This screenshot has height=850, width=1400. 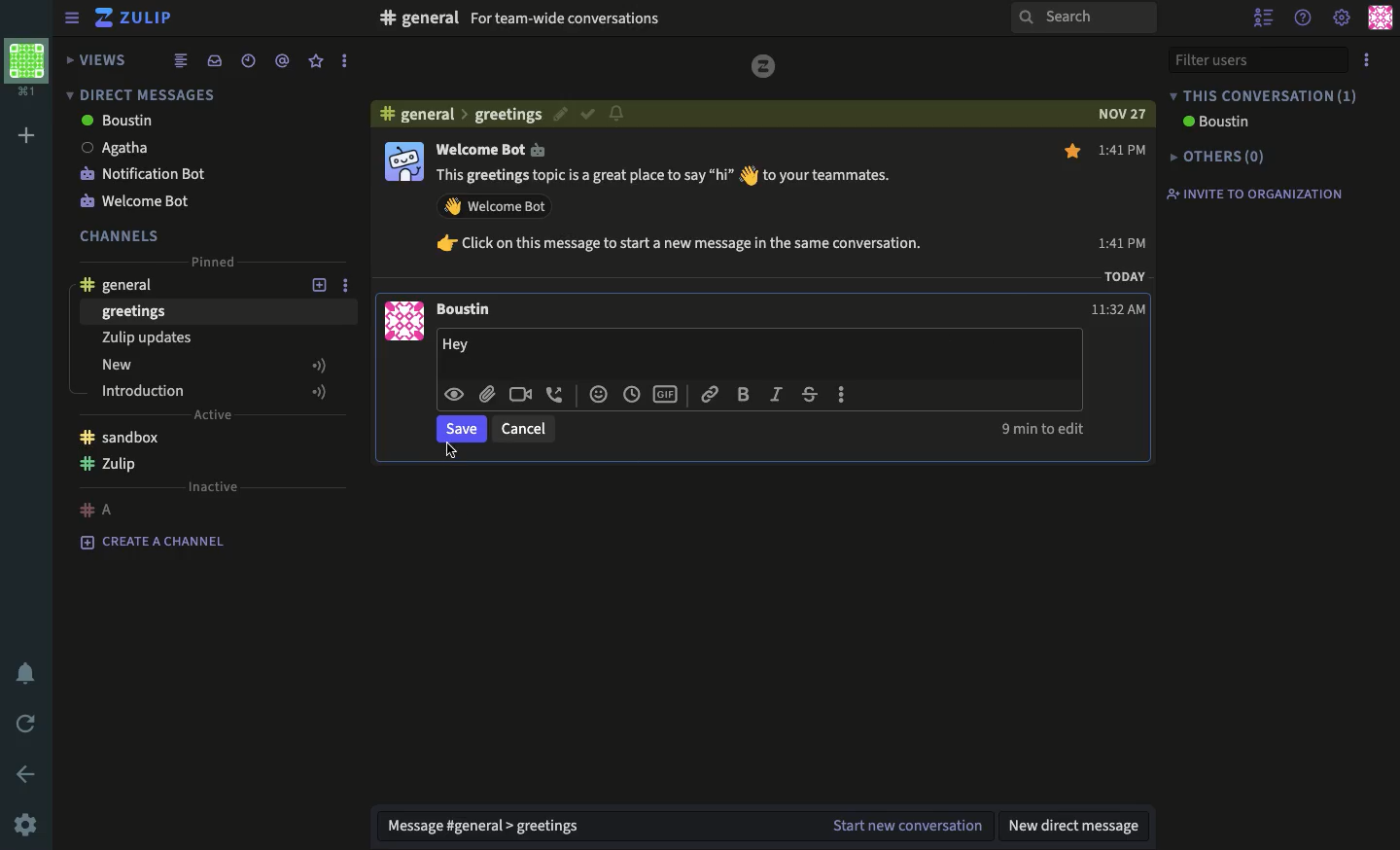 What do you see at coordinates (146, 174) in the screenshot?
I see `Notification Bot` at bounding box center [146, 174].